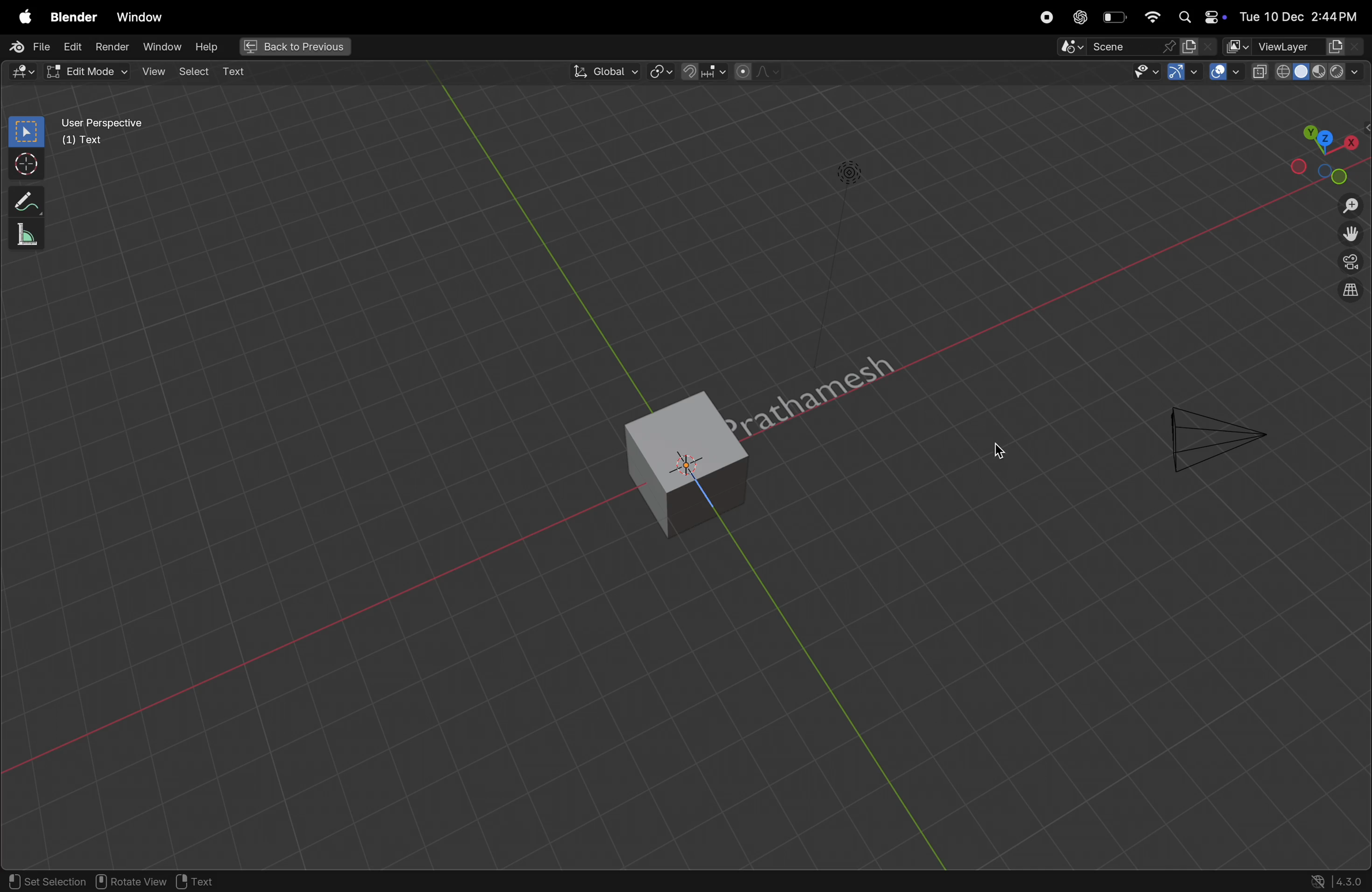  What do you see at coordinates (91, 71) in the screenshot?
I see `object mode` at bounding box center [91, 71].